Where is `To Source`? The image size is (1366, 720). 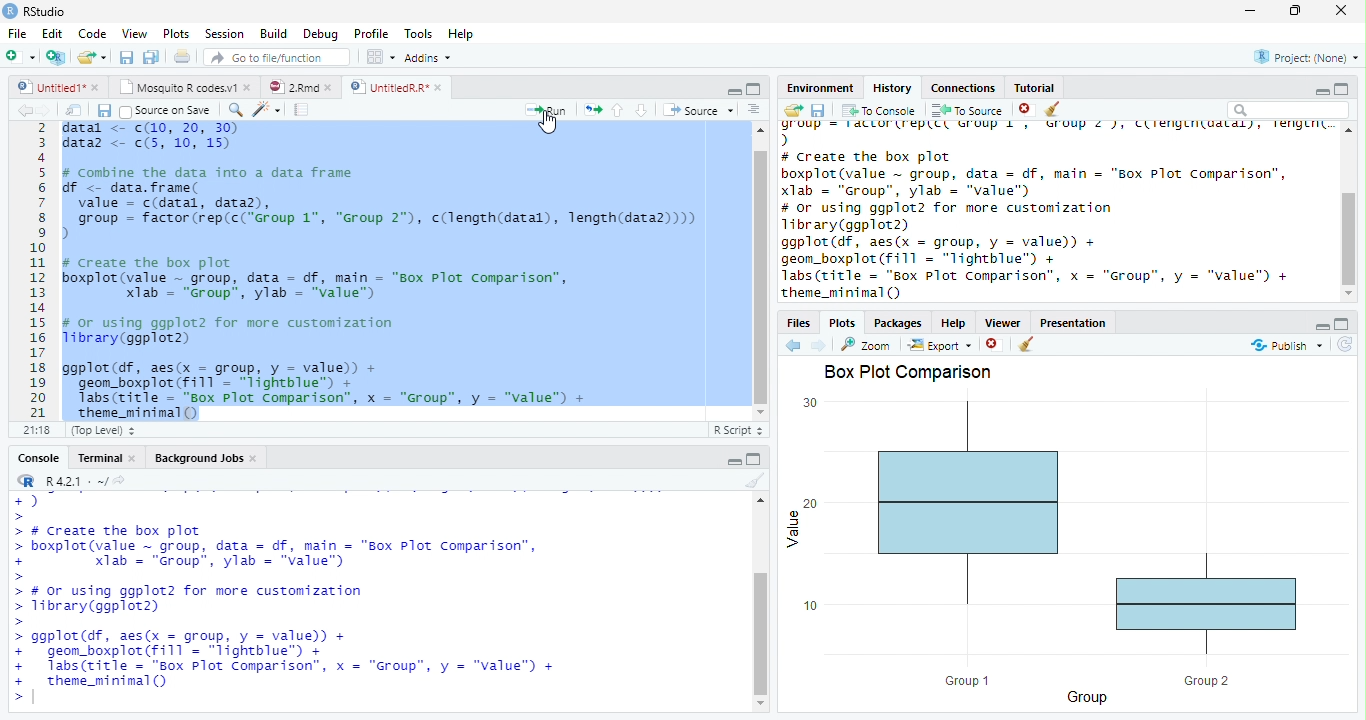
To Source is located at coordinates (968, 110).